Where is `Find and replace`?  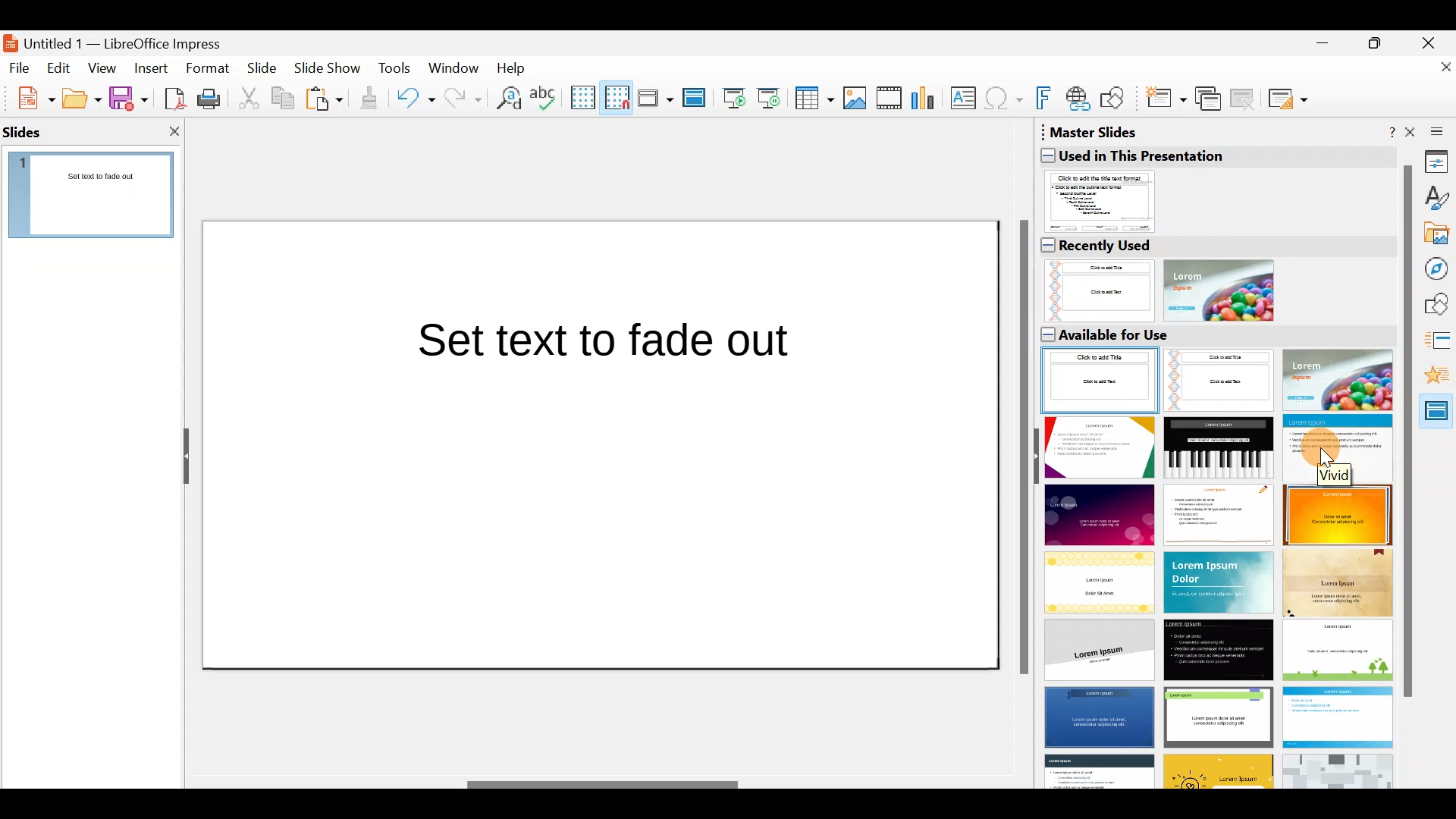 Find and replace is located at coordinates (506, 98).